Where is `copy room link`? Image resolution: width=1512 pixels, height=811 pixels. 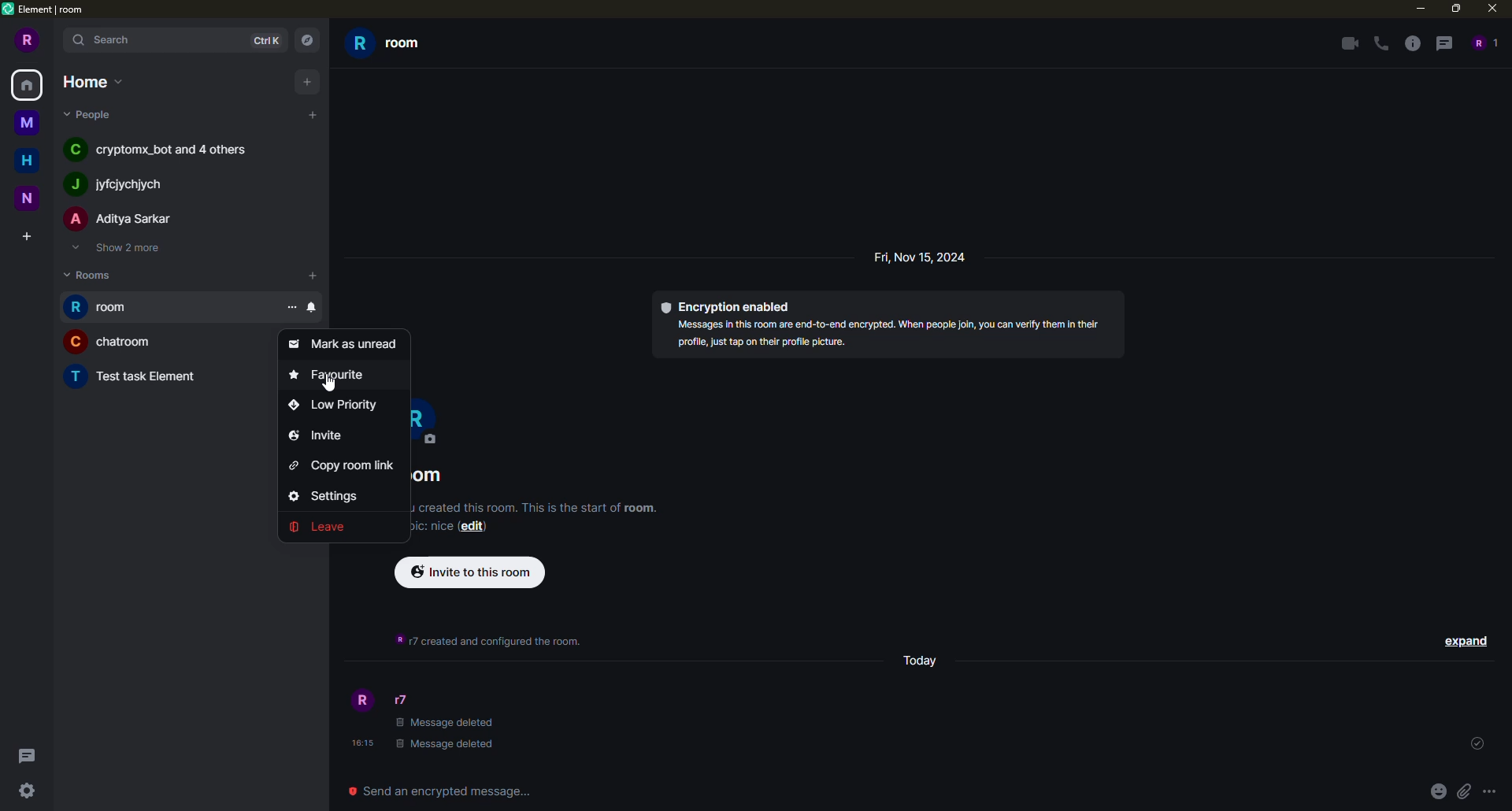
copy room link is located at coordinates (346, 465).